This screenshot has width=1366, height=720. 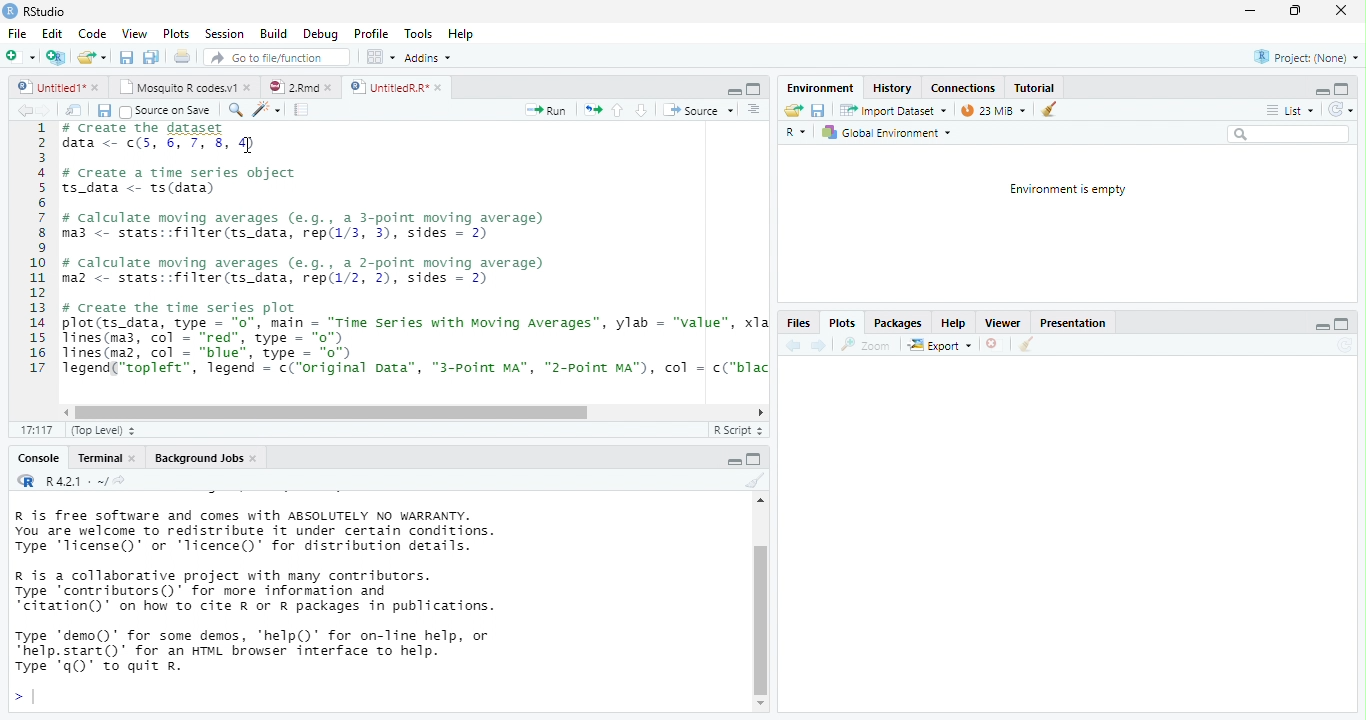 What do you see at coordinates (92, 58) in the screenshot?
I see `open an existing file` at bounding box center [92, 58].